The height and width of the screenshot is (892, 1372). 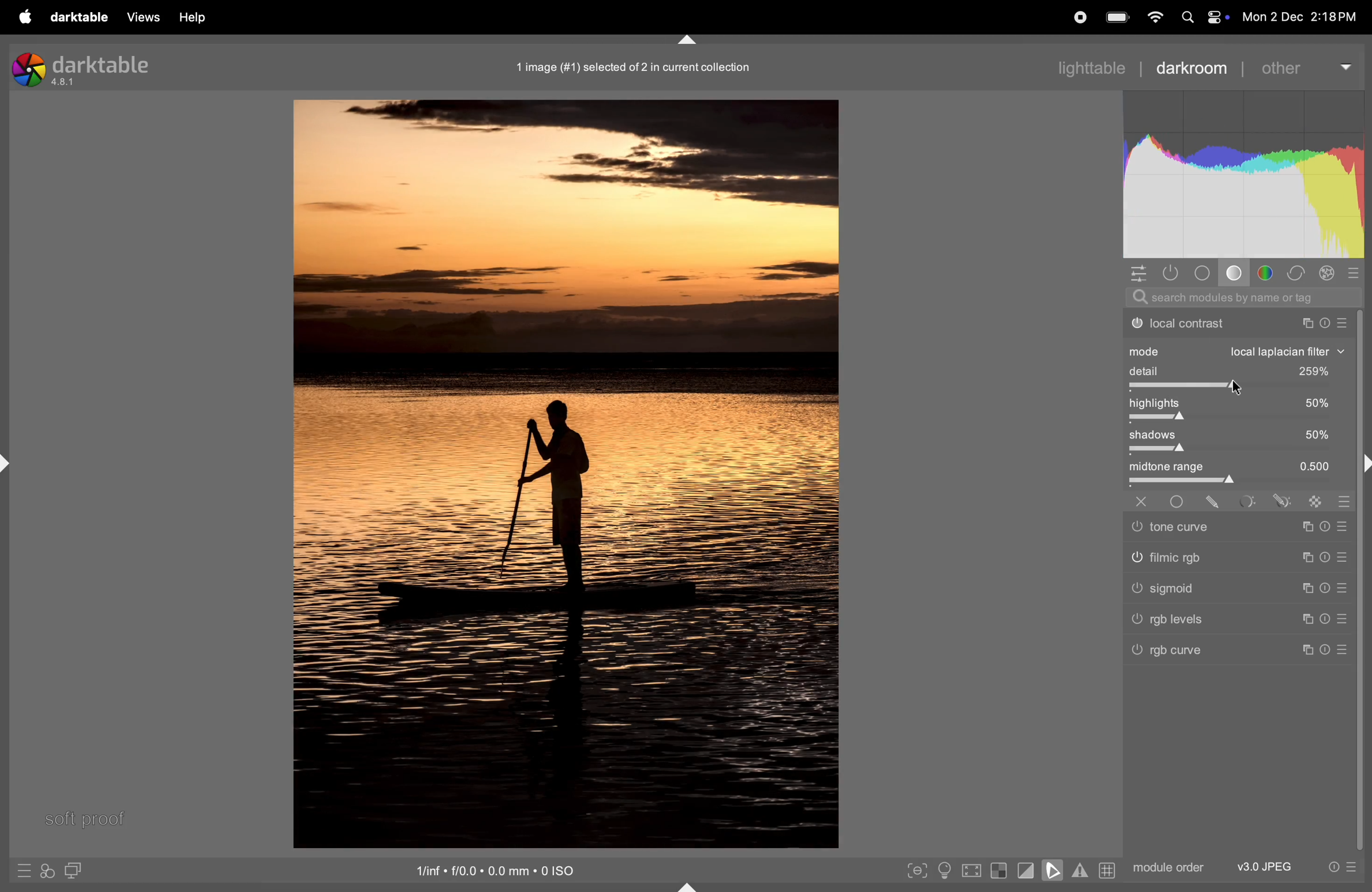 What do you see at coordinates (1280, 501) in the screenshot?
I see `sign` at bounding box center [1280, 501].